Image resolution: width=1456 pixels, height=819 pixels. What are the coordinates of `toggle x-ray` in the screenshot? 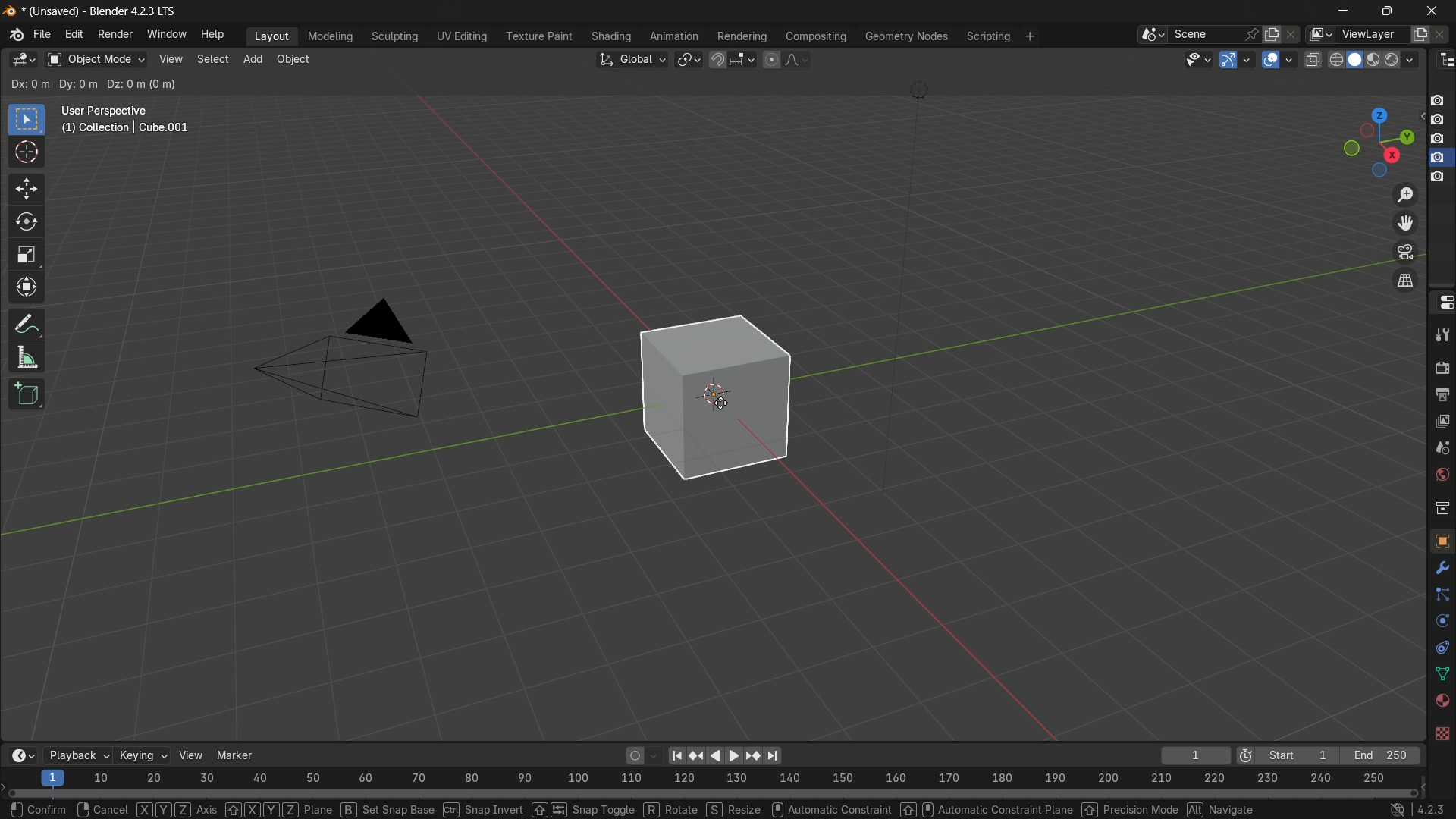 It's located at (1313, 59).